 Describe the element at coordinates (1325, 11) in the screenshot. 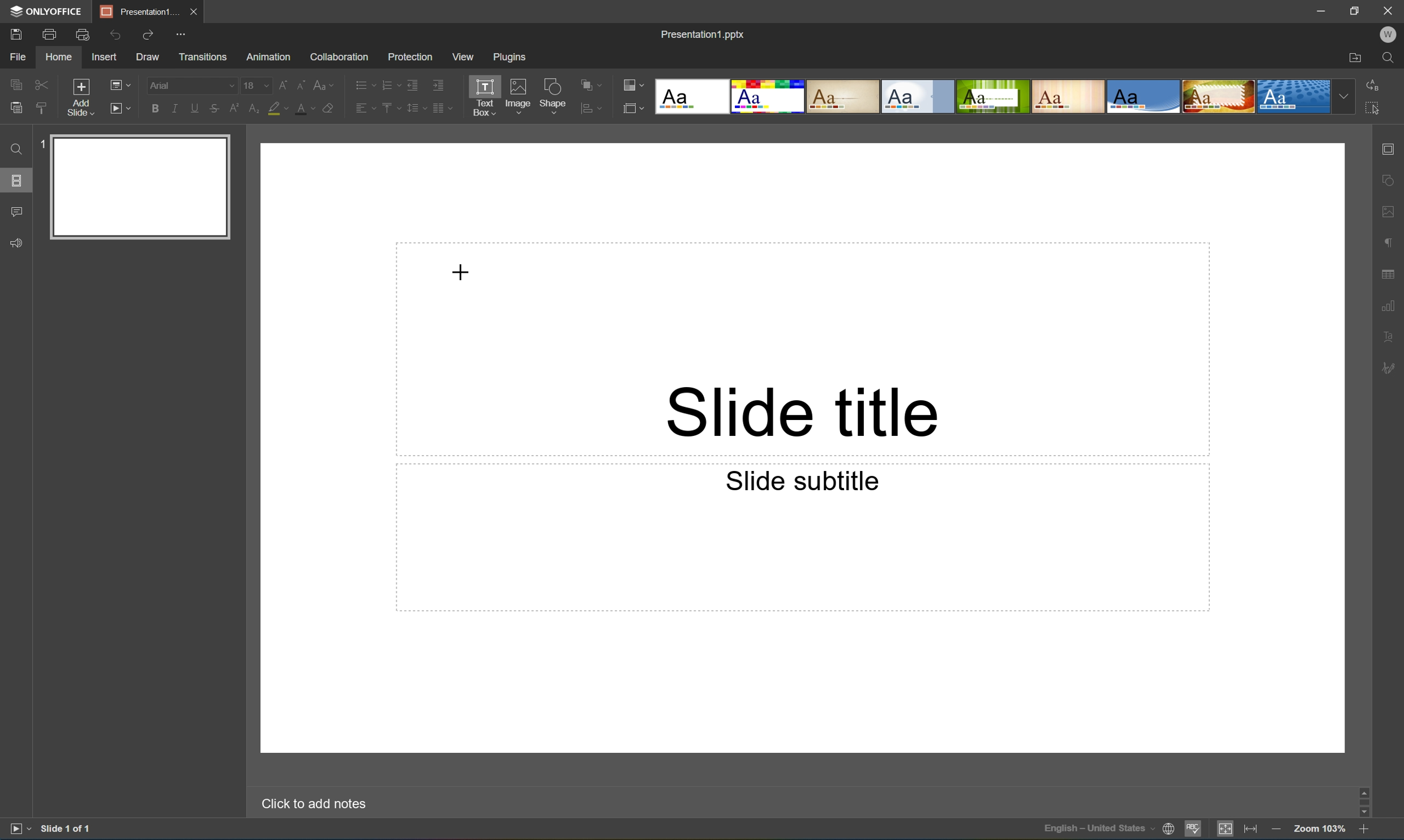

I see `Minimize` at that location.